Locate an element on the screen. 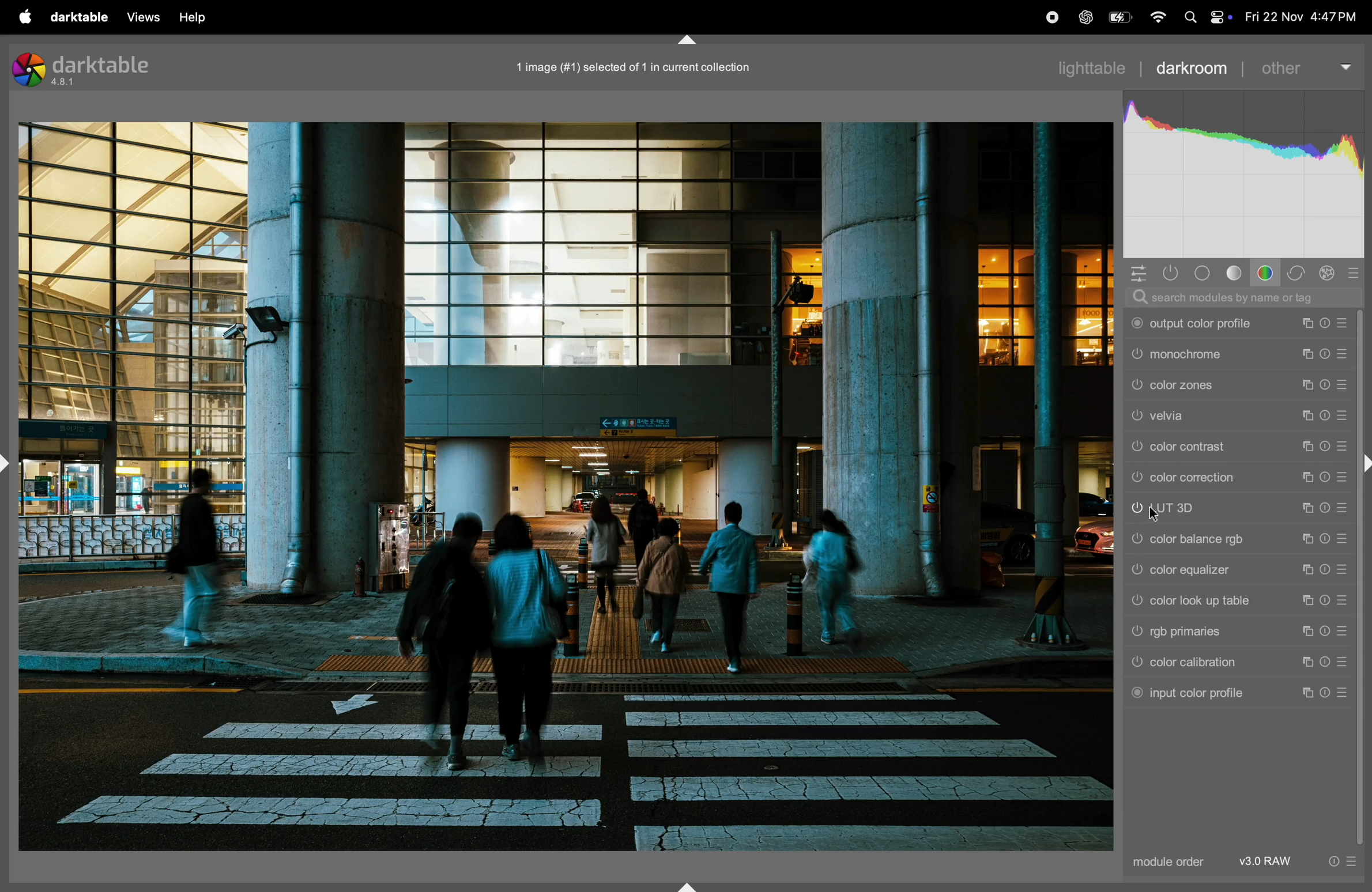 Image resolution: width=1372 pixels, height=892 pixels. image is located at coordinates (567, 487).